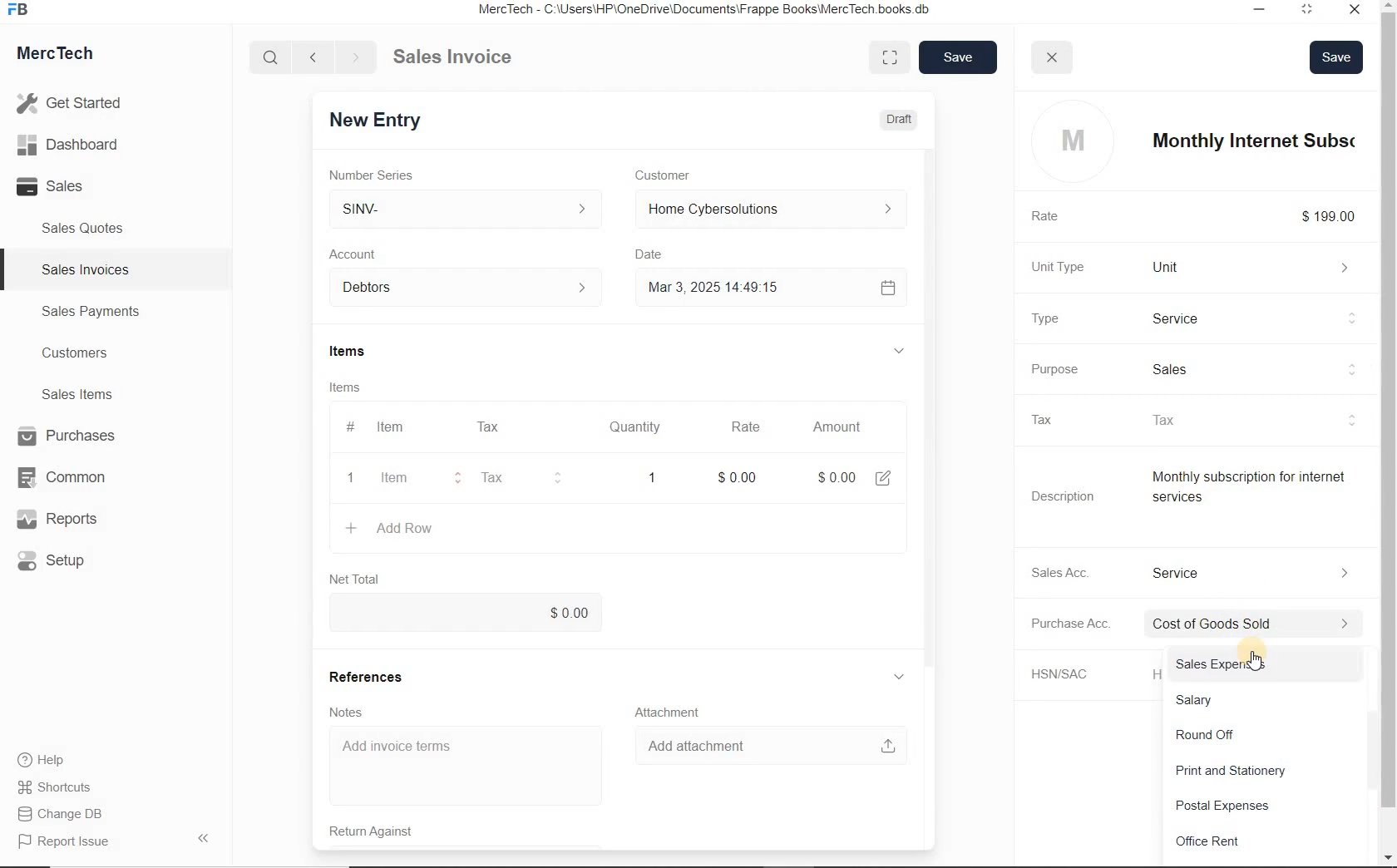  Describe the element at coordinates (355, 57) in the screenshot. I see `Go forward` at that location.